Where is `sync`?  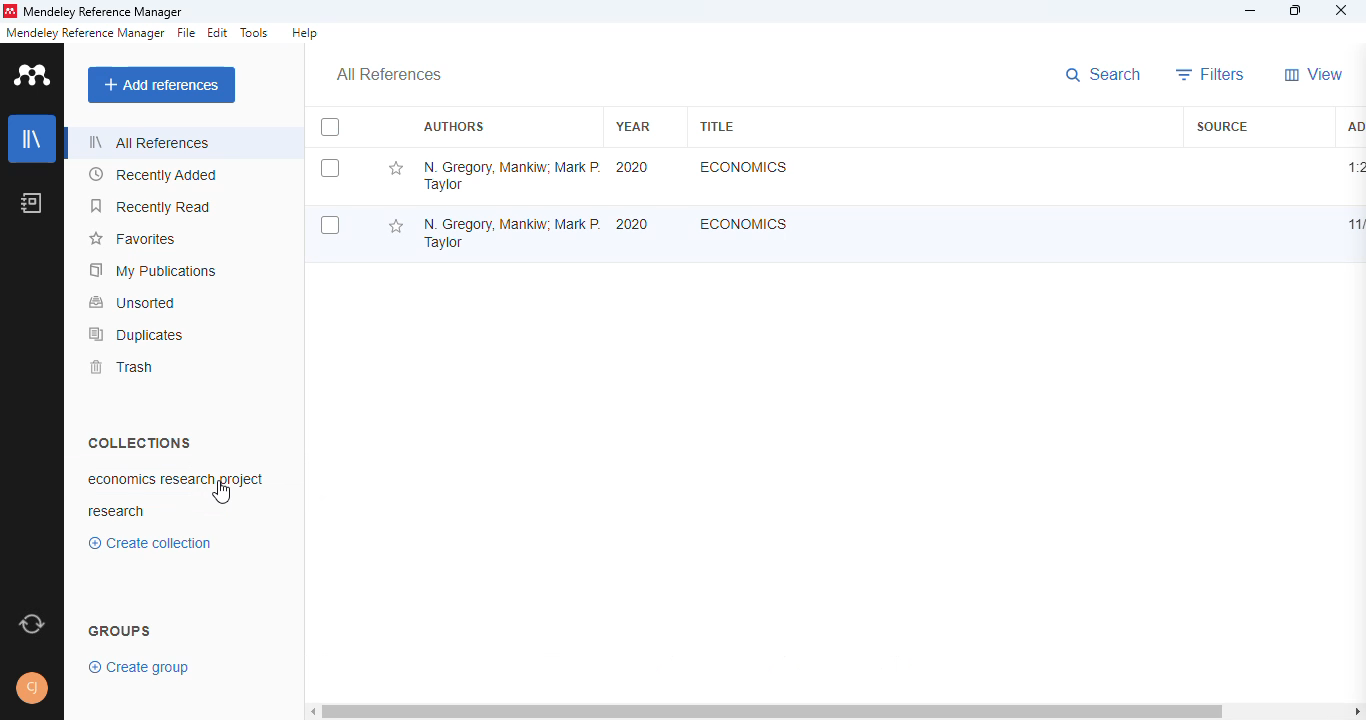 sync is located at coordinates (32, 625).